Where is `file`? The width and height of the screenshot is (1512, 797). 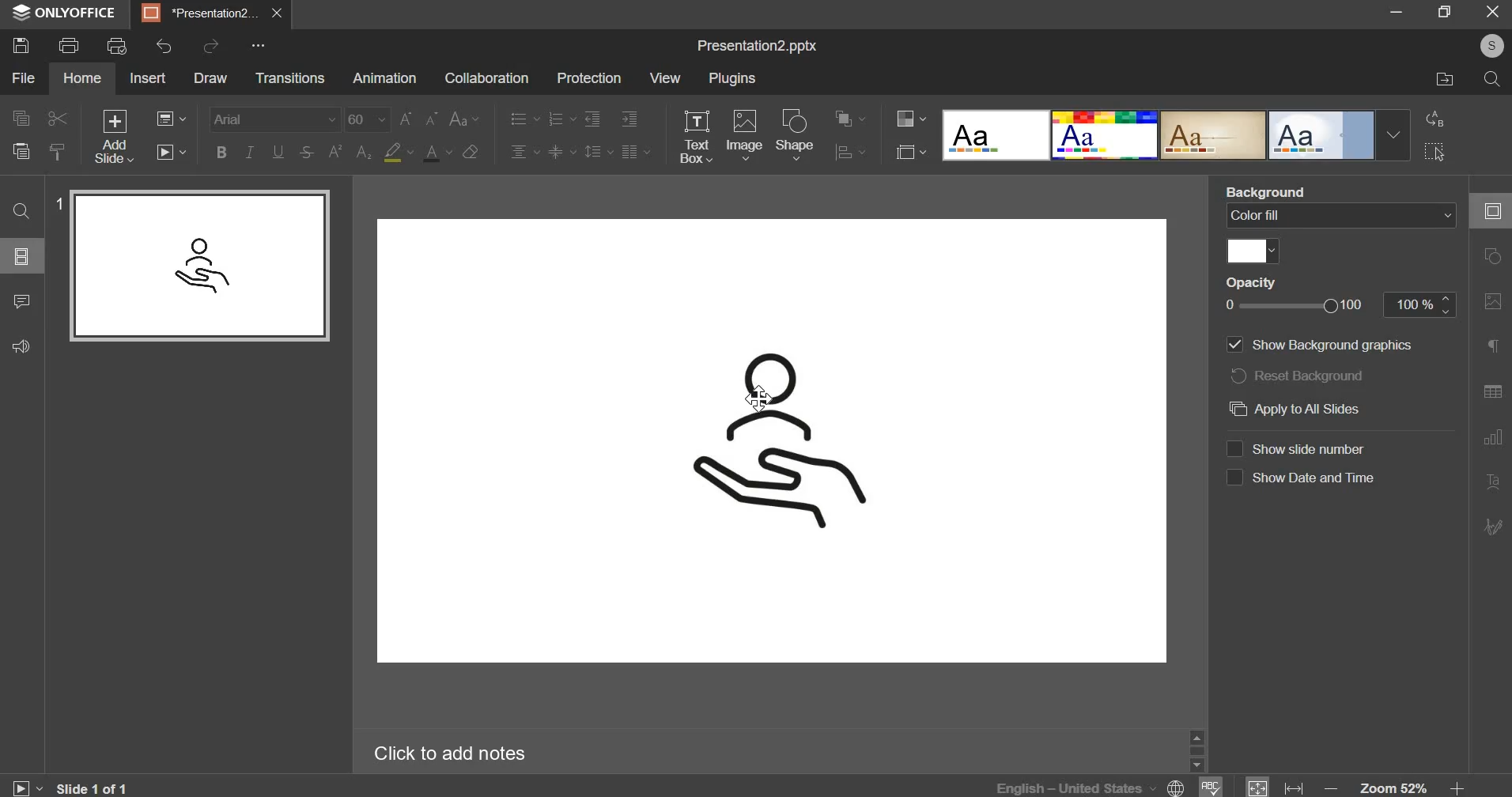
file is located at coordinates (24, 77).